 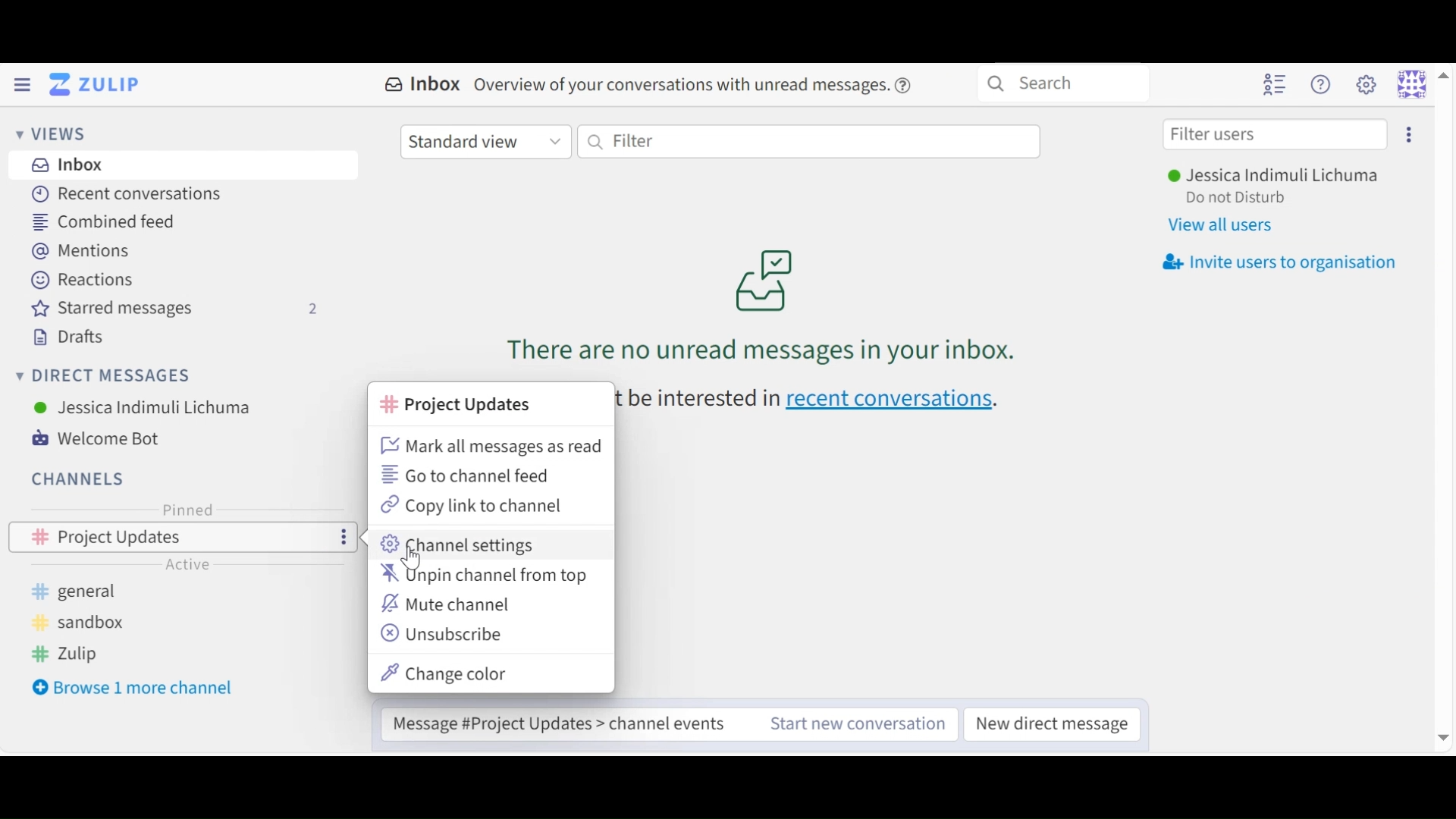 I want to click on Hide User list, so click(x=1276, y=82).